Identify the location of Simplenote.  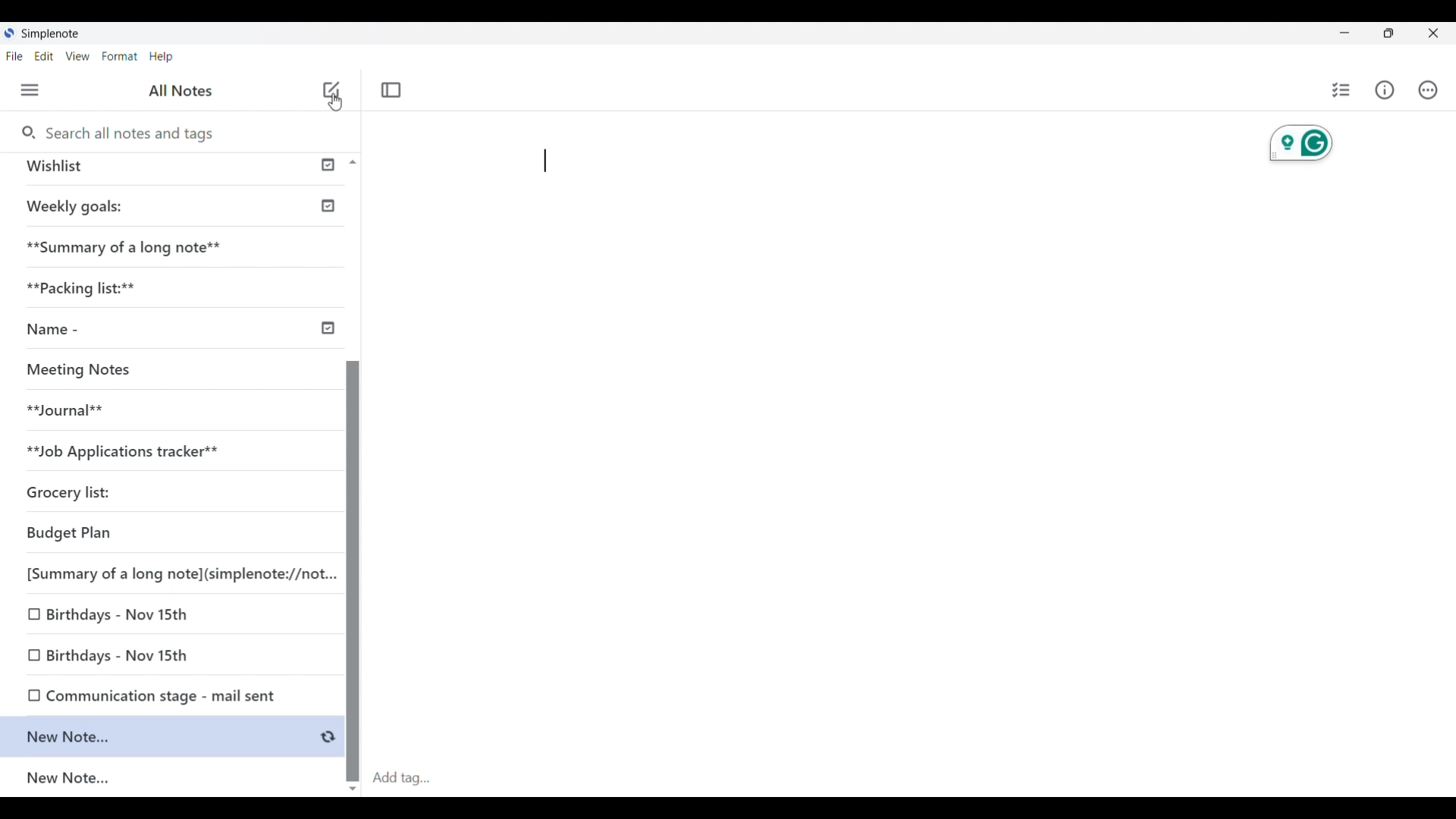
(51, 33).